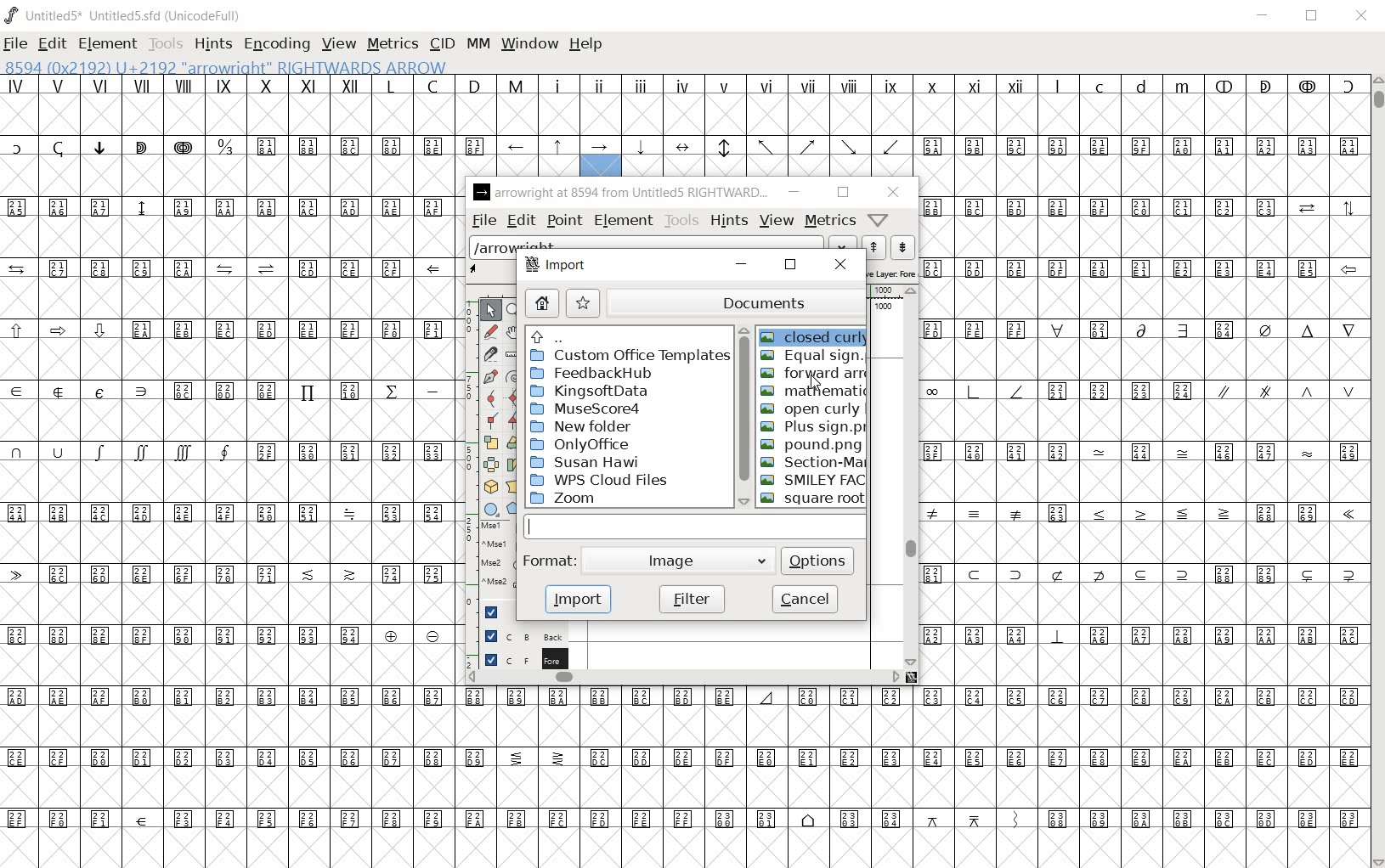 The image size is (1385, 868). Describe the element at coordinates (789, 265) in the screenshot. I see `restore` at that location.